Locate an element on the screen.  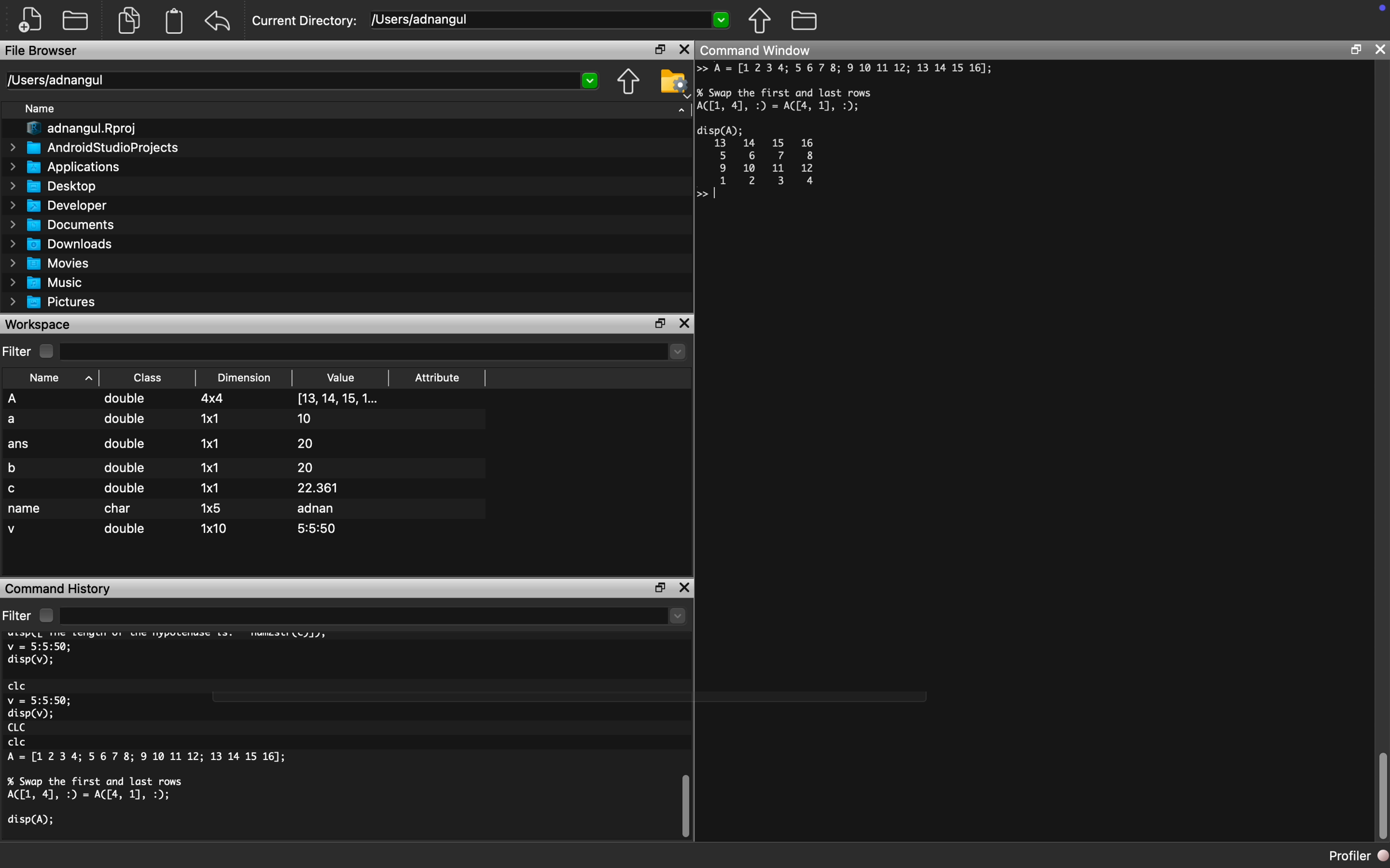
Dropdown is located at coordinates (675, 354).